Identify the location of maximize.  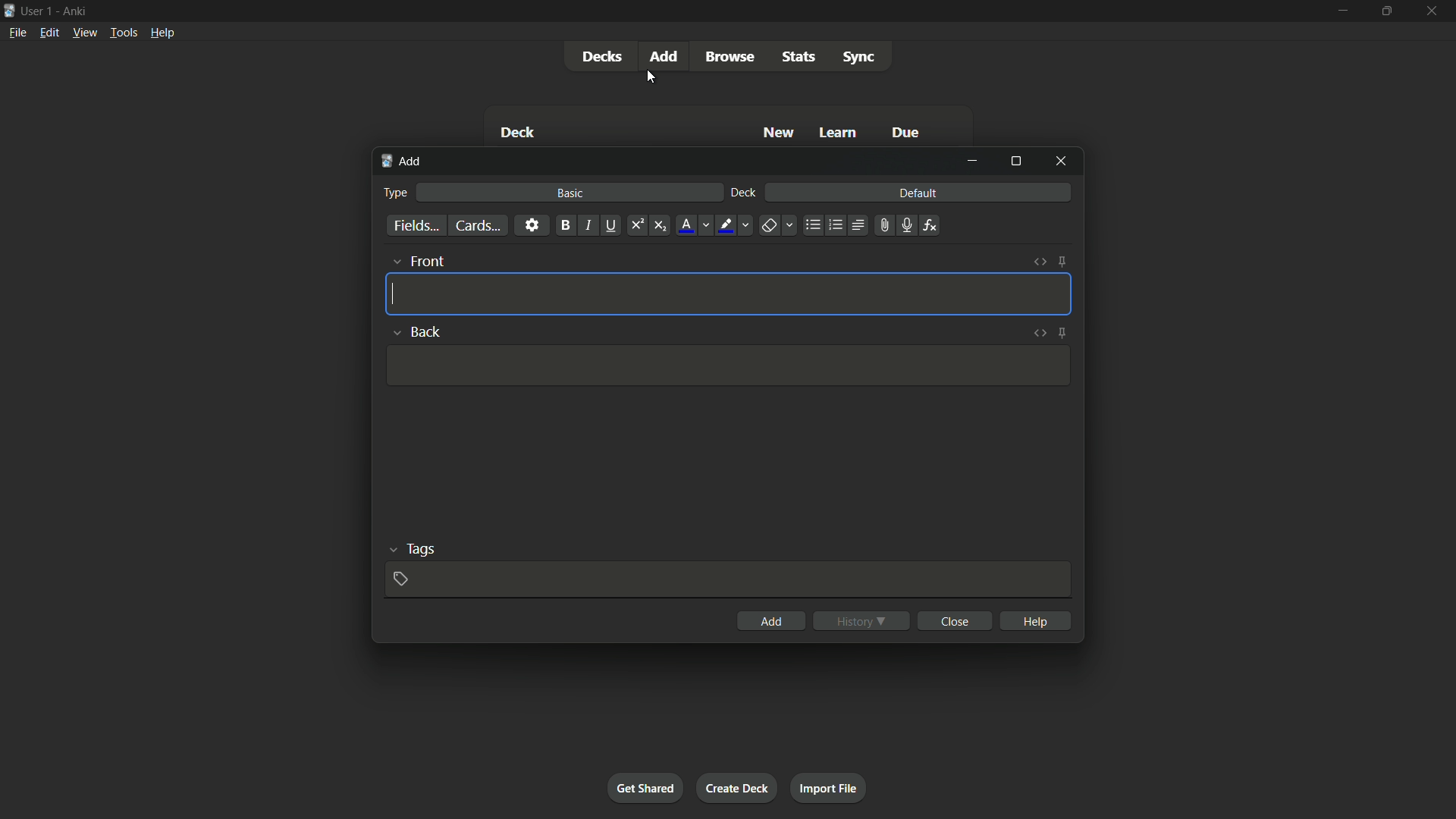
(1015, 161).